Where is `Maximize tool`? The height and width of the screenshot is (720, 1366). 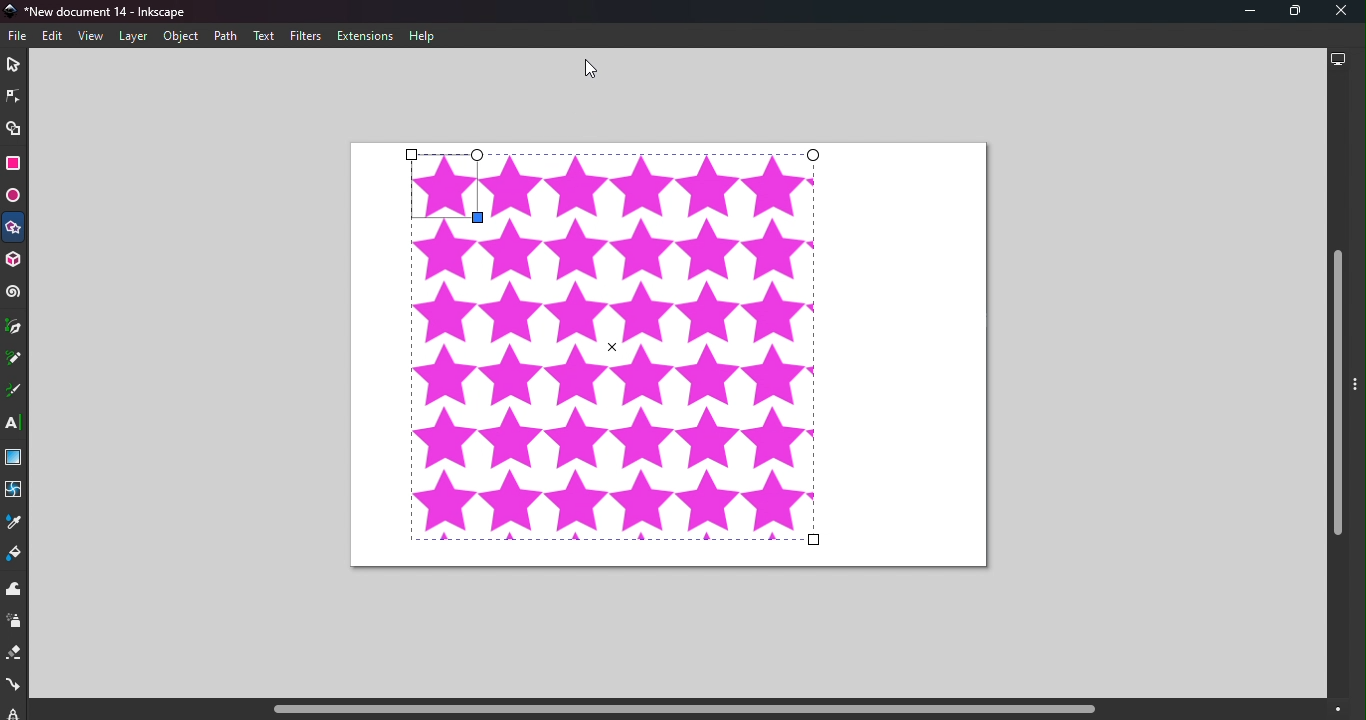
Maximize tool is located at coordinates (1290, 11).